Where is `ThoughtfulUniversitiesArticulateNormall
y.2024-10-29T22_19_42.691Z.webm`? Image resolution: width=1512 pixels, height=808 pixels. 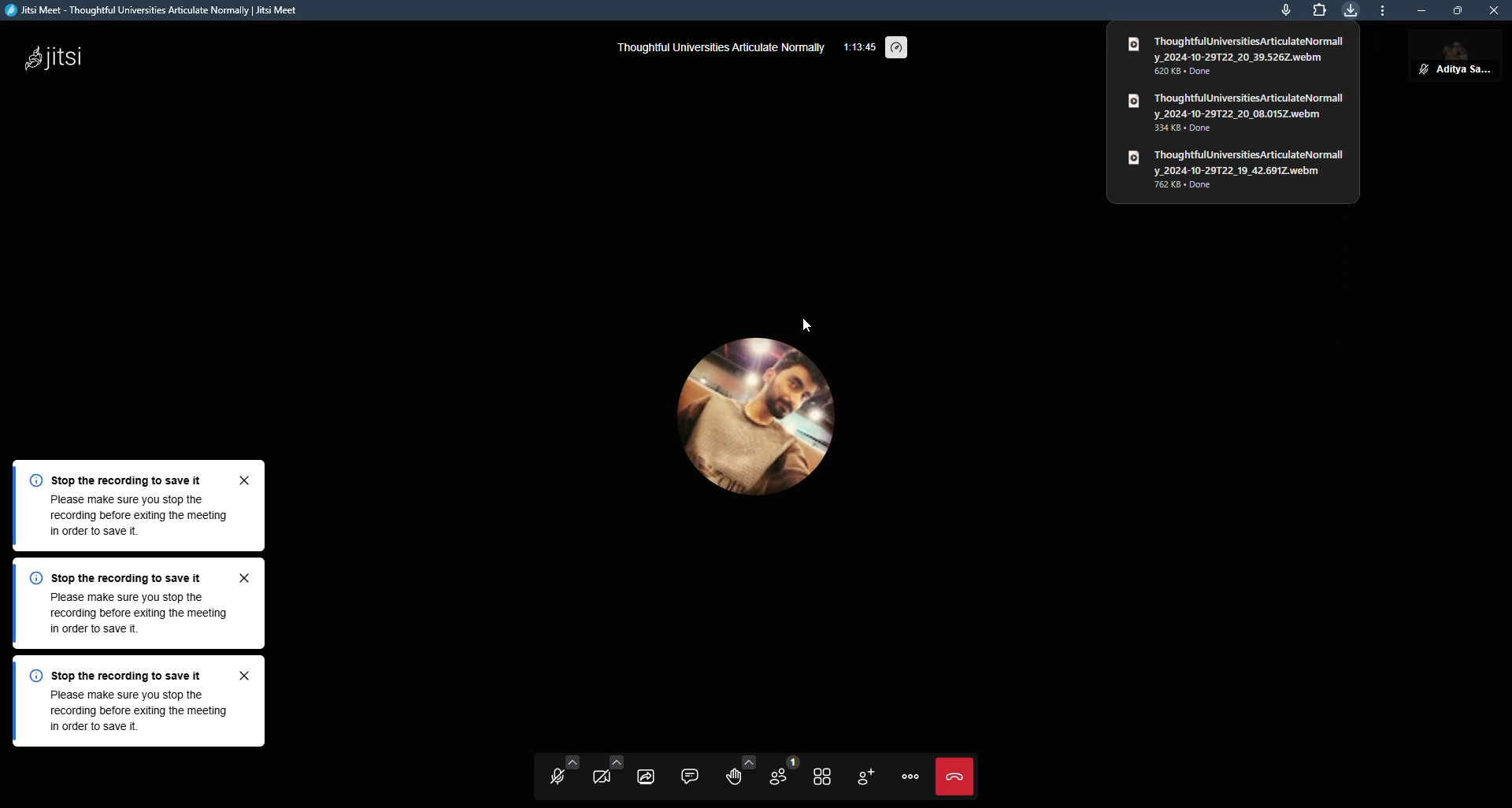
ThoughtfulUniversitiesArticulateNormall
y.2024-10-29T22_19_42.691Z.webm is located at coordinates (1241, 159).